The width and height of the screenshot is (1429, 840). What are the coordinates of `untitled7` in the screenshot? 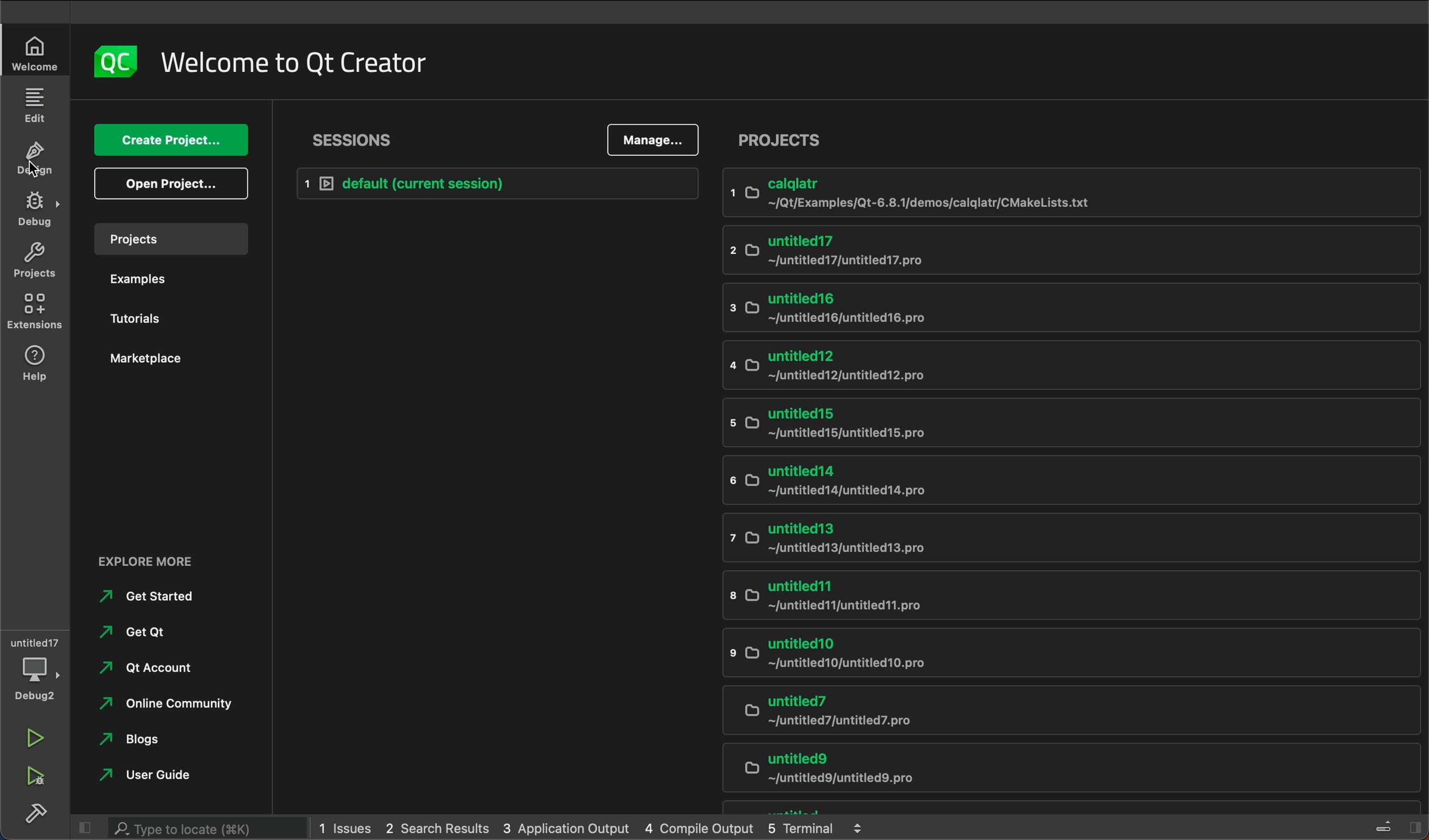 It's located at (1051, 710).